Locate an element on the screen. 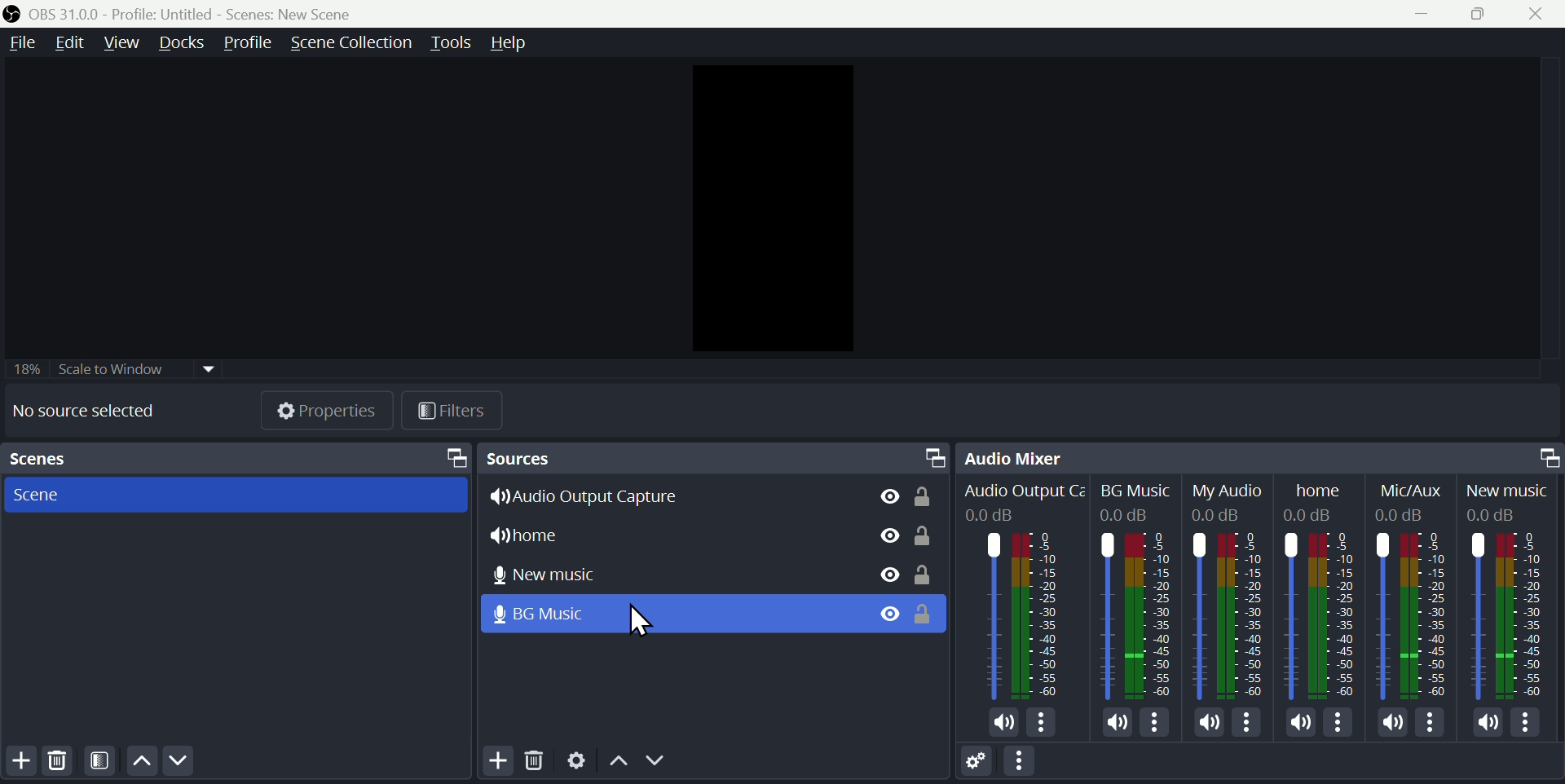 The width and height of the screenshot is (1565, 784). close is located at coordinates (1537, 12).